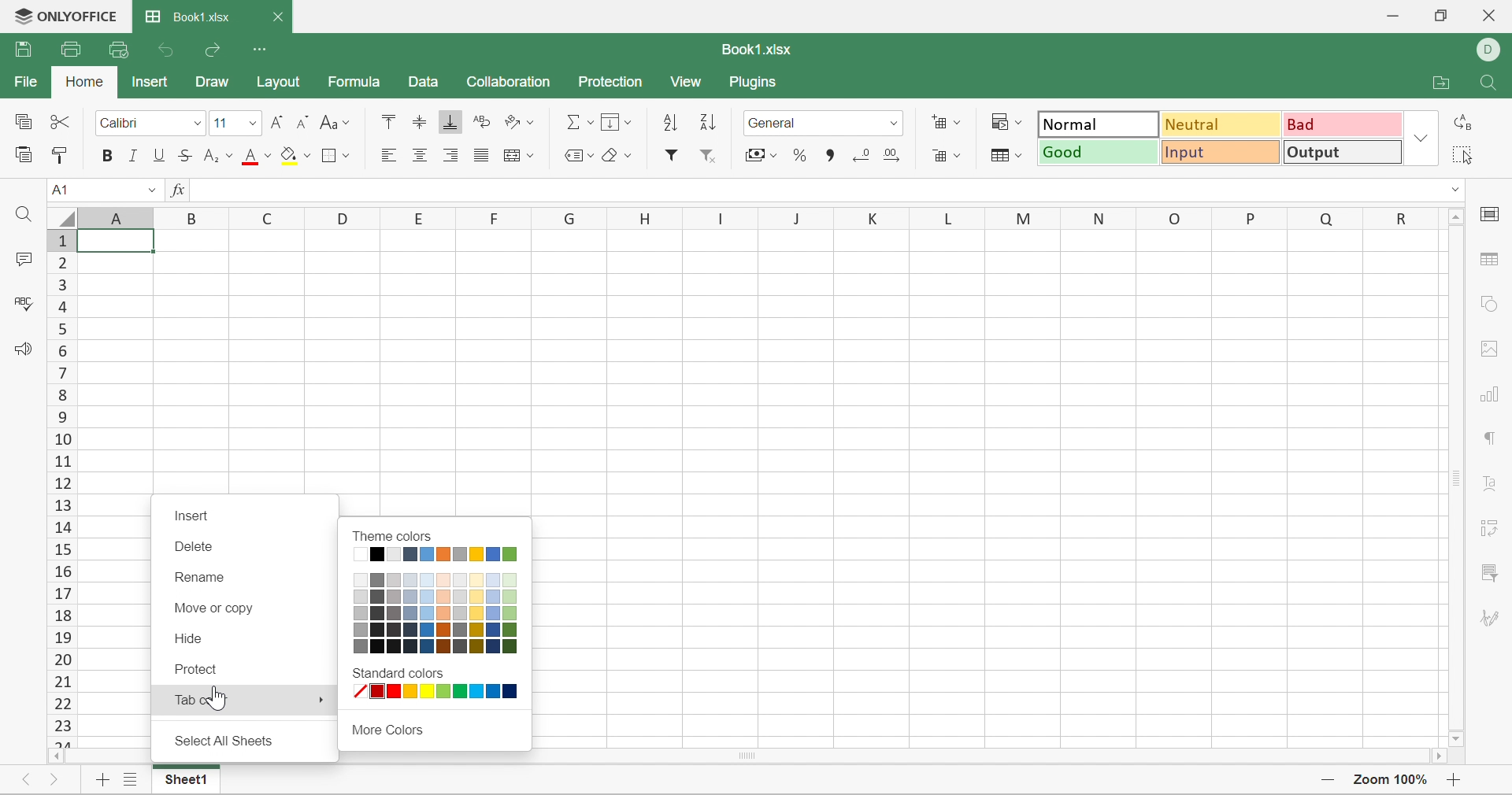 Image resolution: width=1512 pixels, height=795 pixels. I want to click on Scroll Left, so click(54, 755).